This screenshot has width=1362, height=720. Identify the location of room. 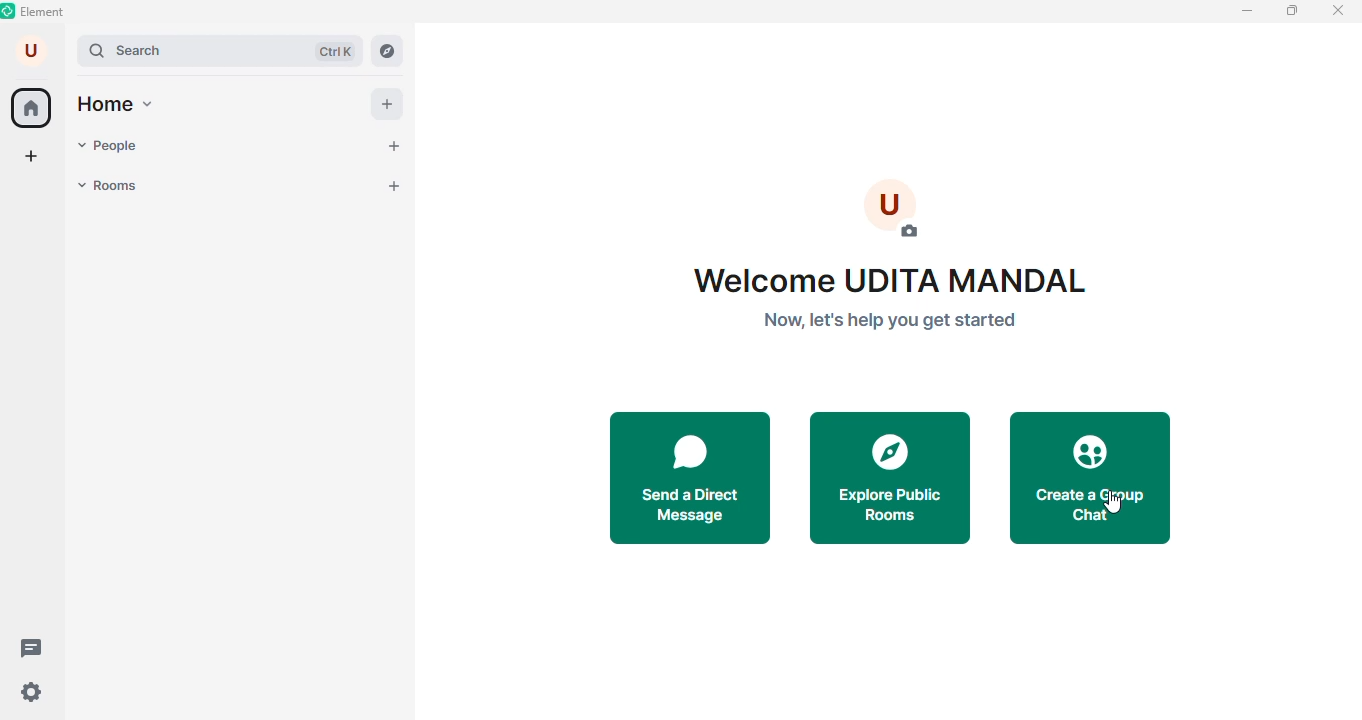
(114, 186).